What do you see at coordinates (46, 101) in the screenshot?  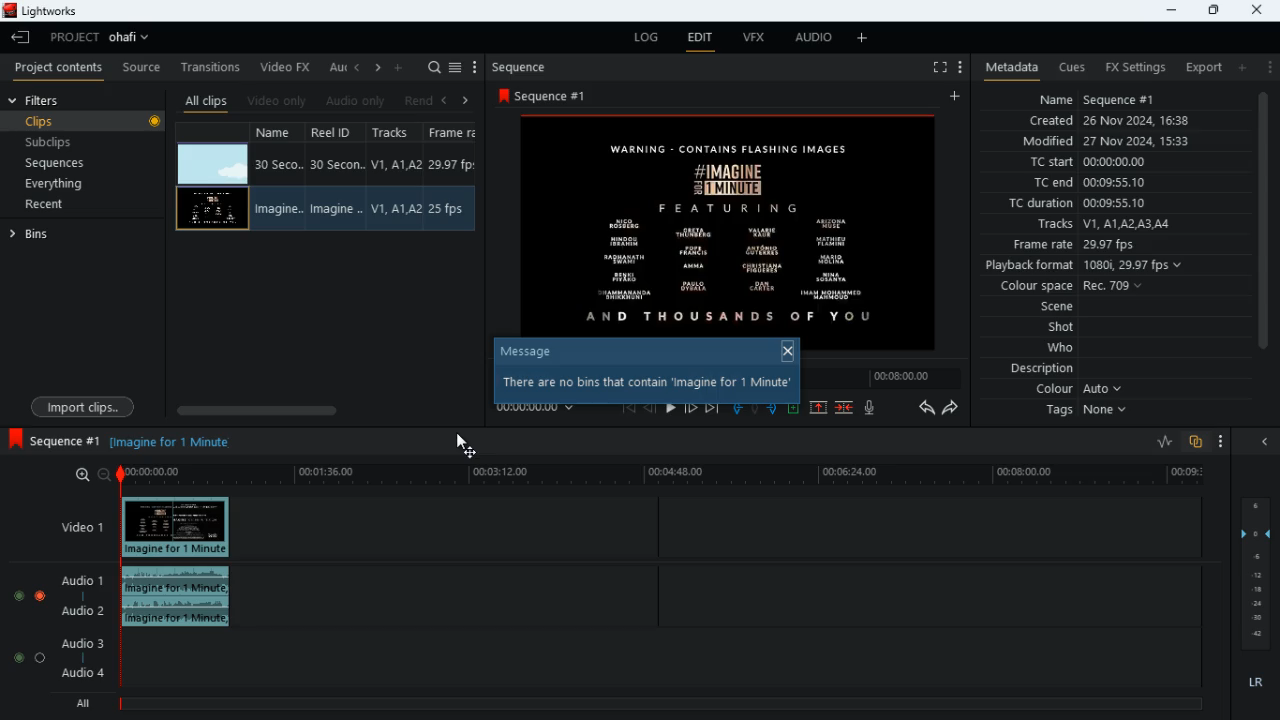 I see `filters` at bounding box center [46, 101].